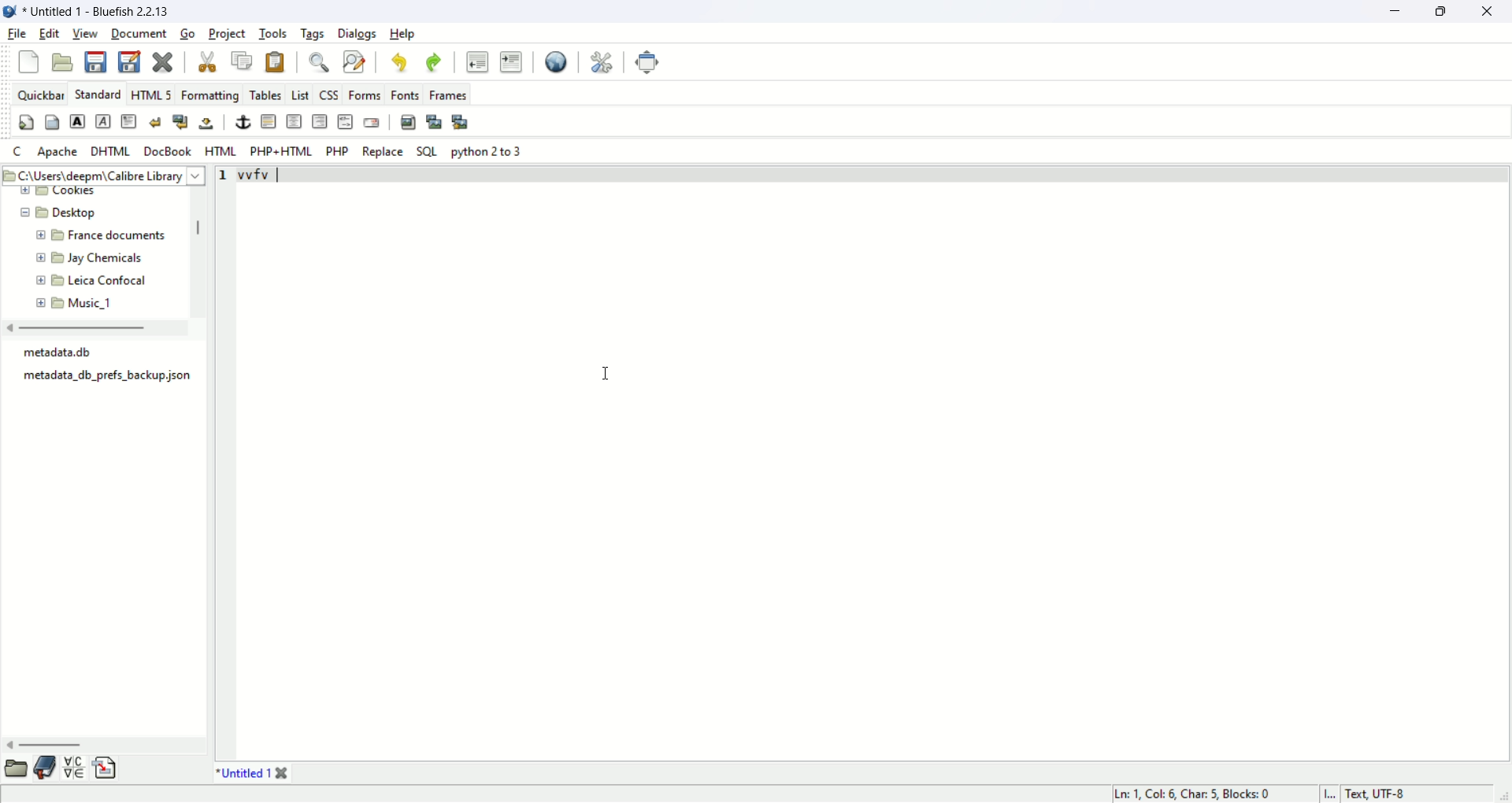  Describe the element at coordinates (220, 150) in the screenshot. I see `html` at that location.